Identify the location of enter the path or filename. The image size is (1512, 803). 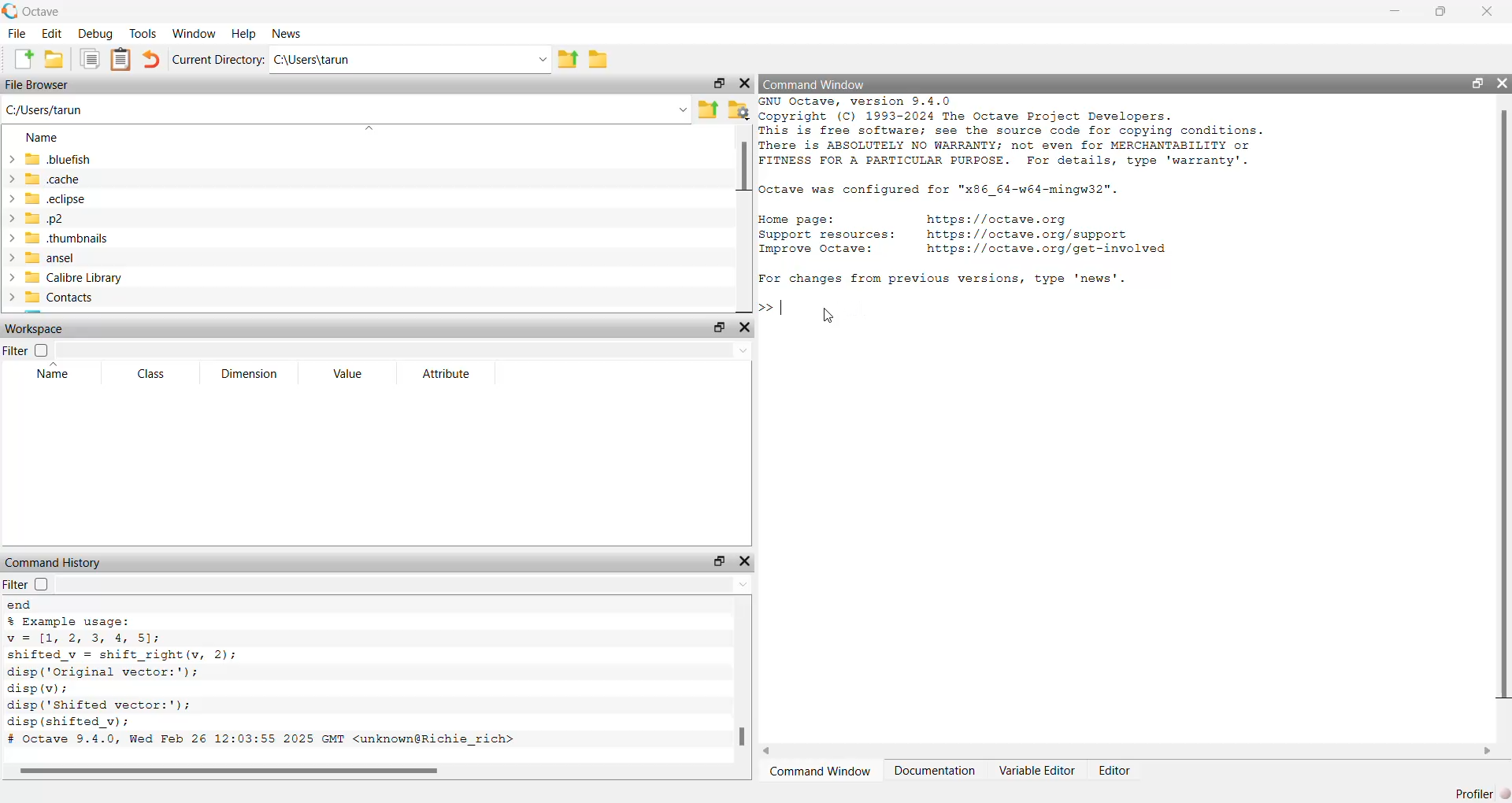
(345, 110).